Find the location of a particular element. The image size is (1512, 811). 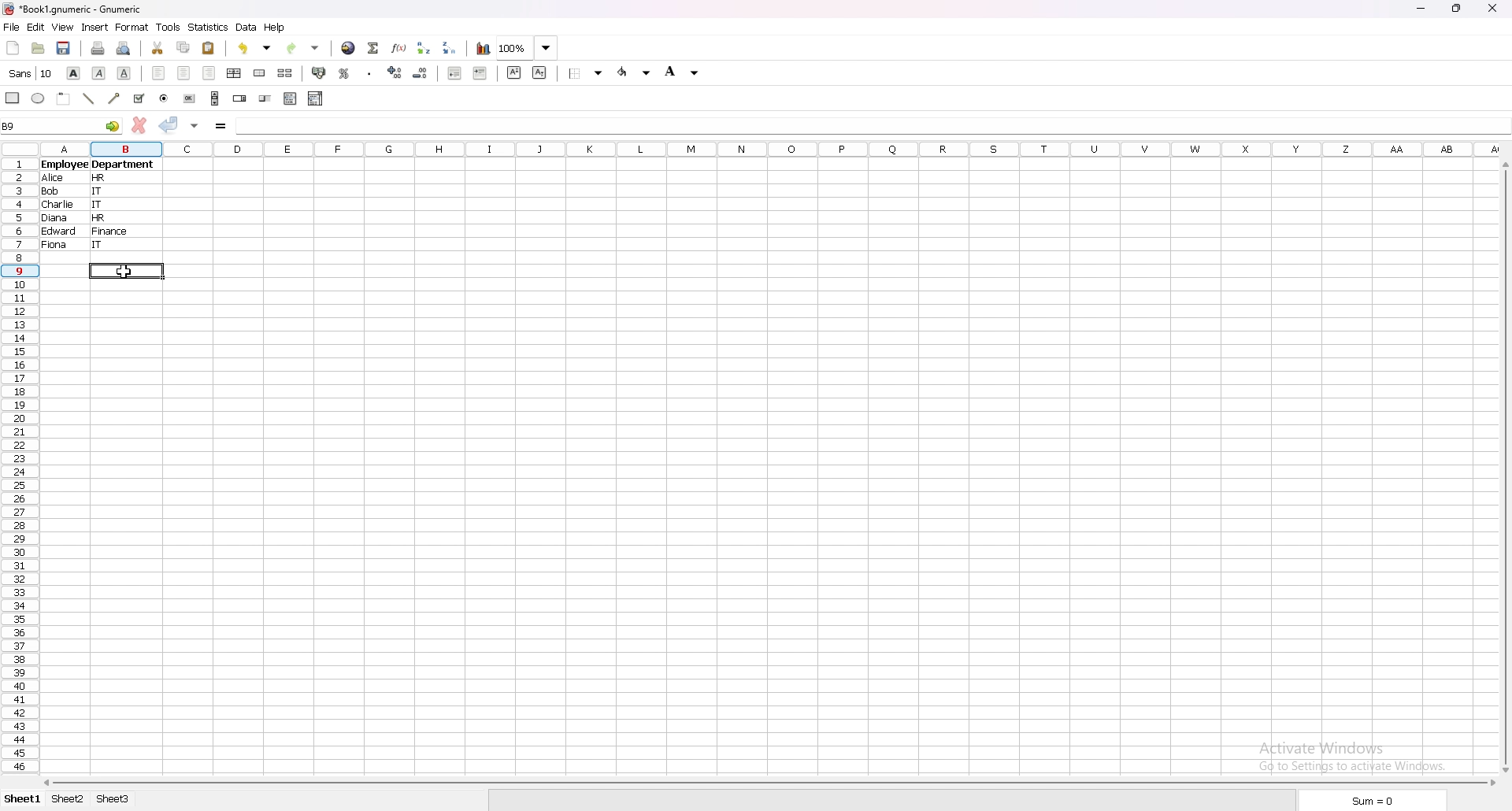

accept changes is located at coordinates (171, 123).